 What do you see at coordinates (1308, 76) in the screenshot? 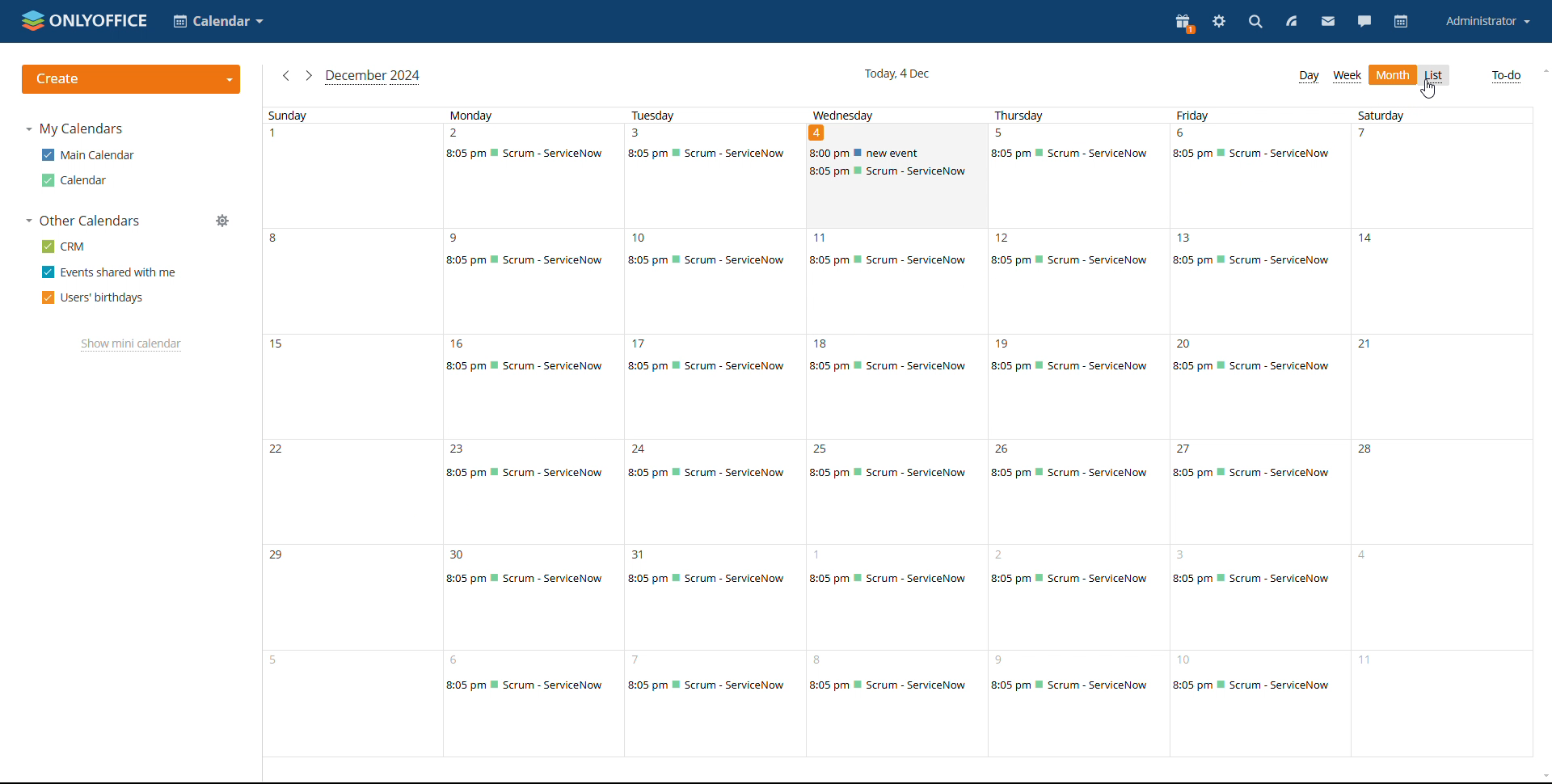
I see `day` at bounding box center [1308, 76].